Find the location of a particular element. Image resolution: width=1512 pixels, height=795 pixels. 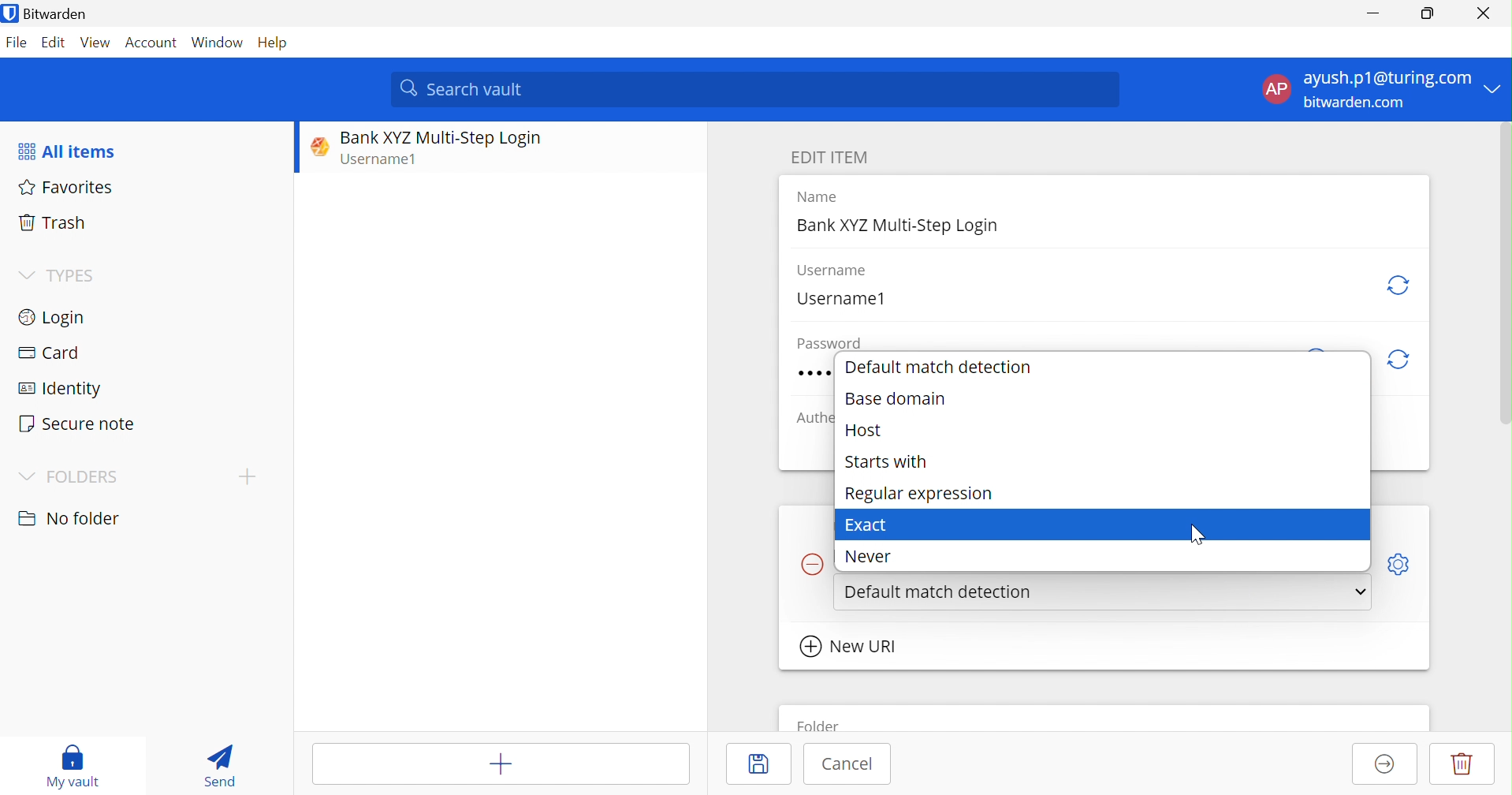

Host is located at coordinates (866, 431).